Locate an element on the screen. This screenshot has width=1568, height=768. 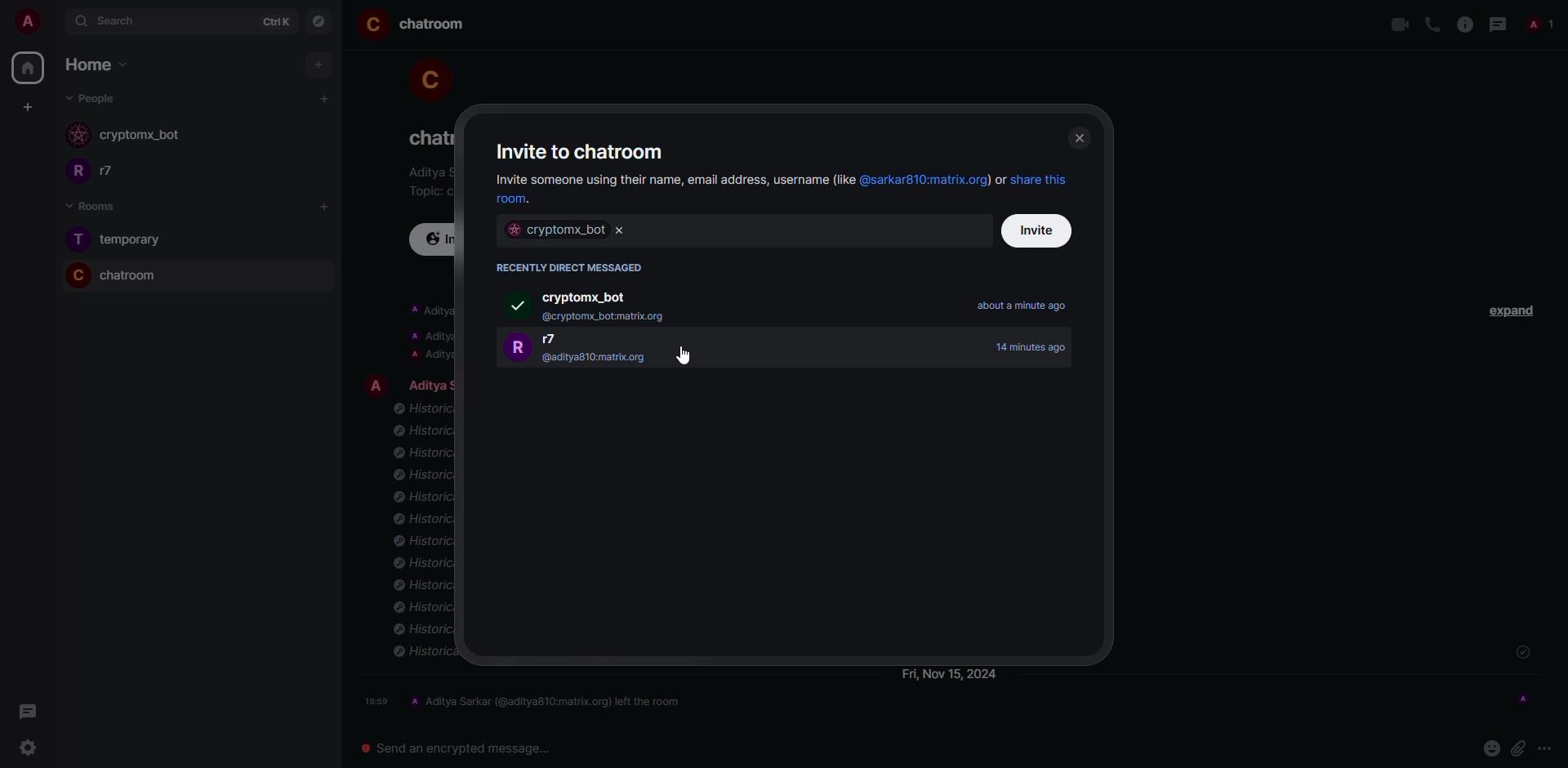
profile is located at coordinates (77, 239).